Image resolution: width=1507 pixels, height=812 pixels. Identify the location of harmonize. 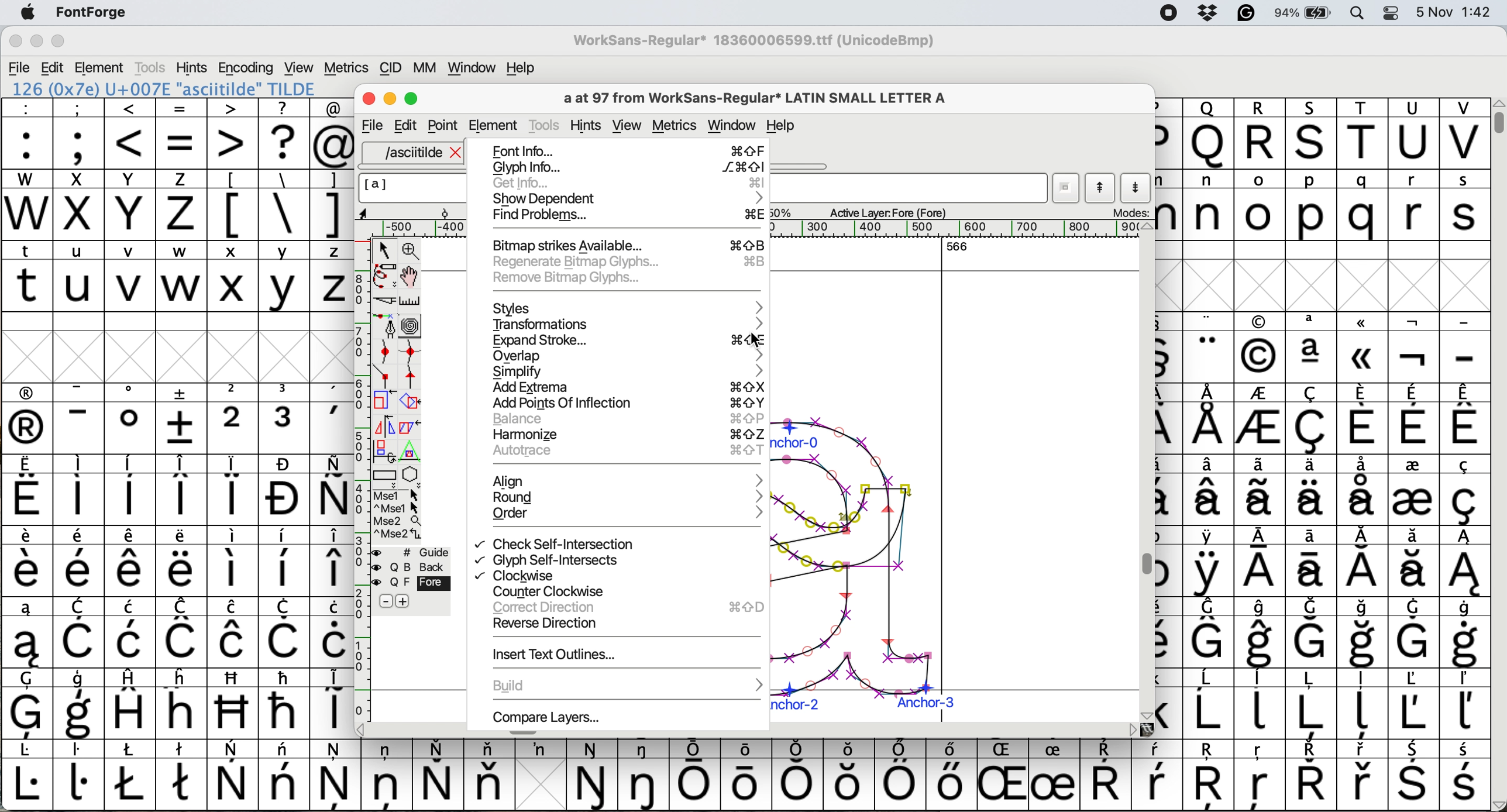
(629, 435).